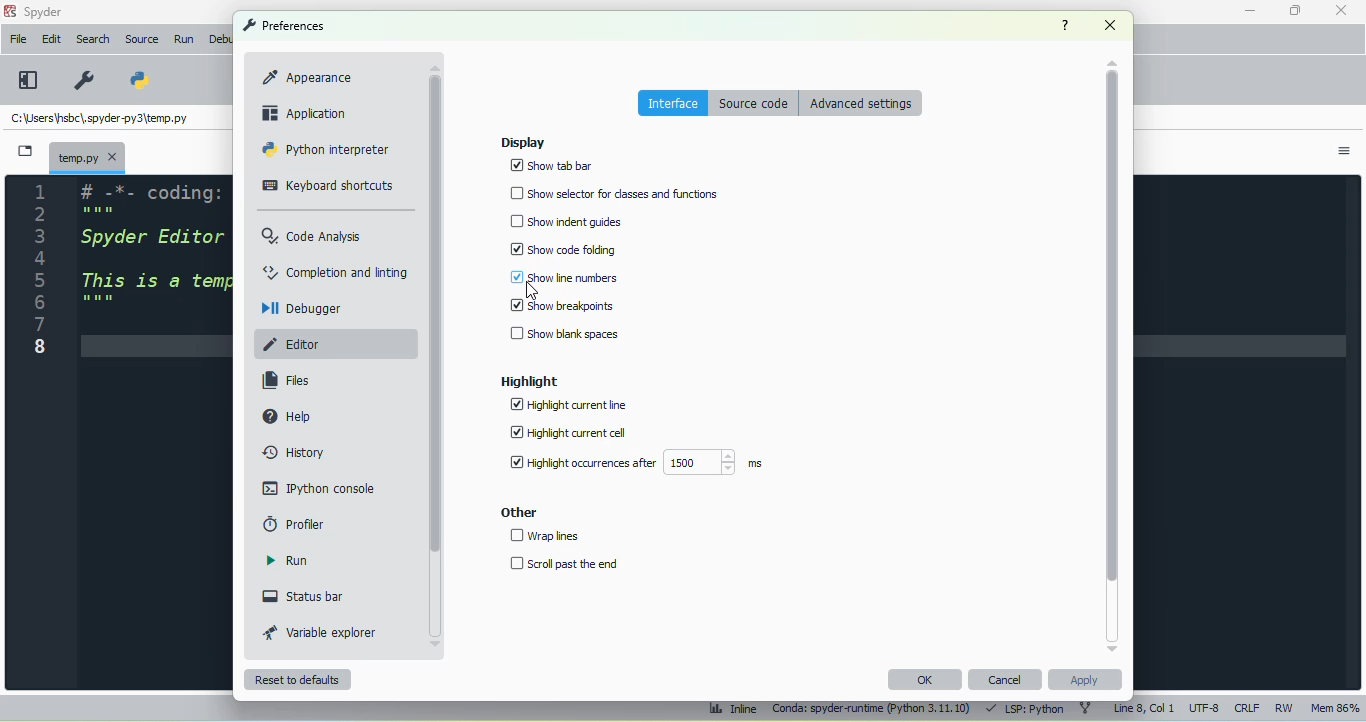 This screenshot has width=1366, height=722. I want to click on show code folding, so click(563, 248).